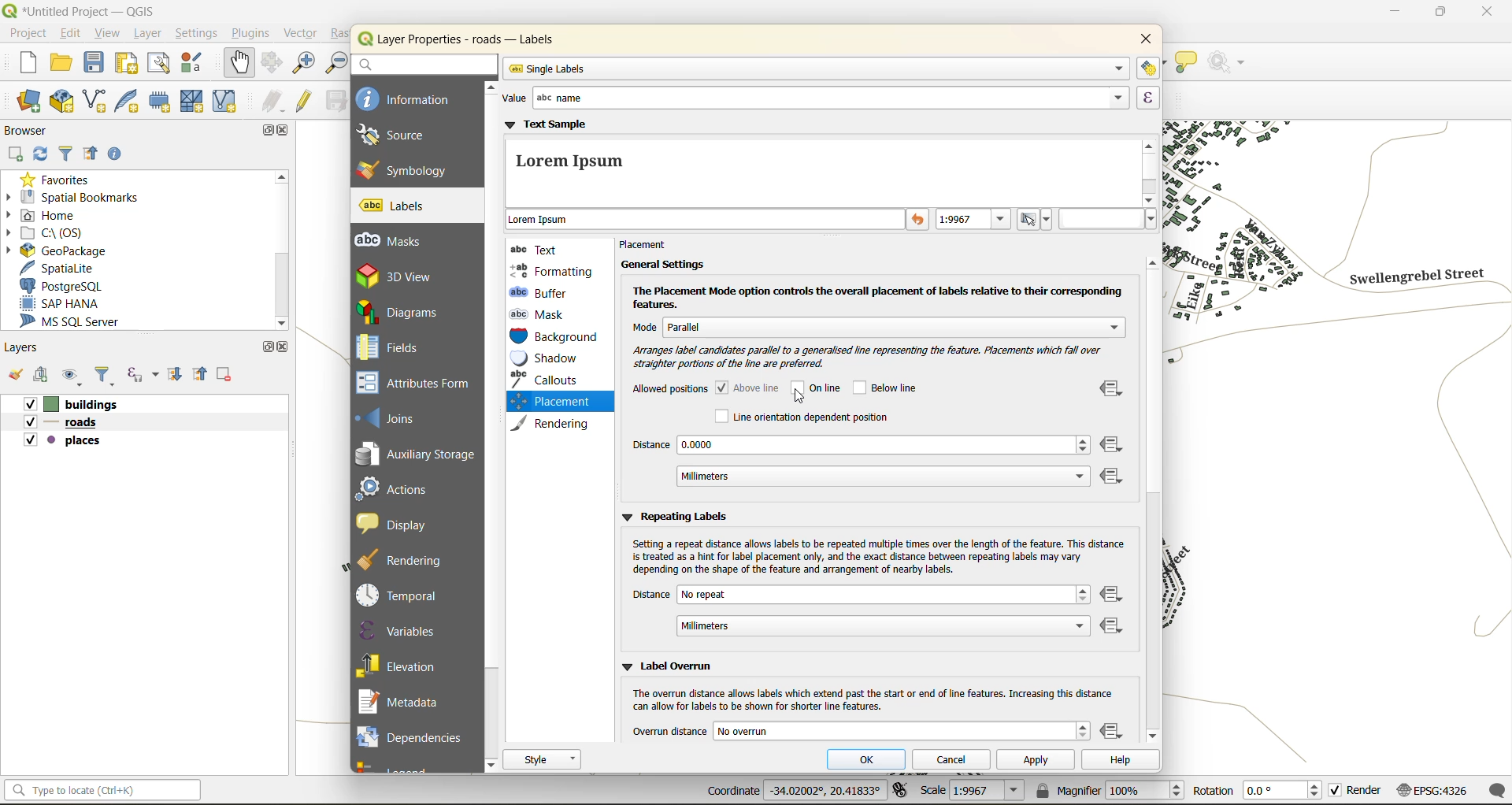 Image resolution: width=1512 pixels, height=805 pixels. What do you see at coordinates (202, 377) in the screenshot?
I see `collapse all` at bounding box center [202, 377].